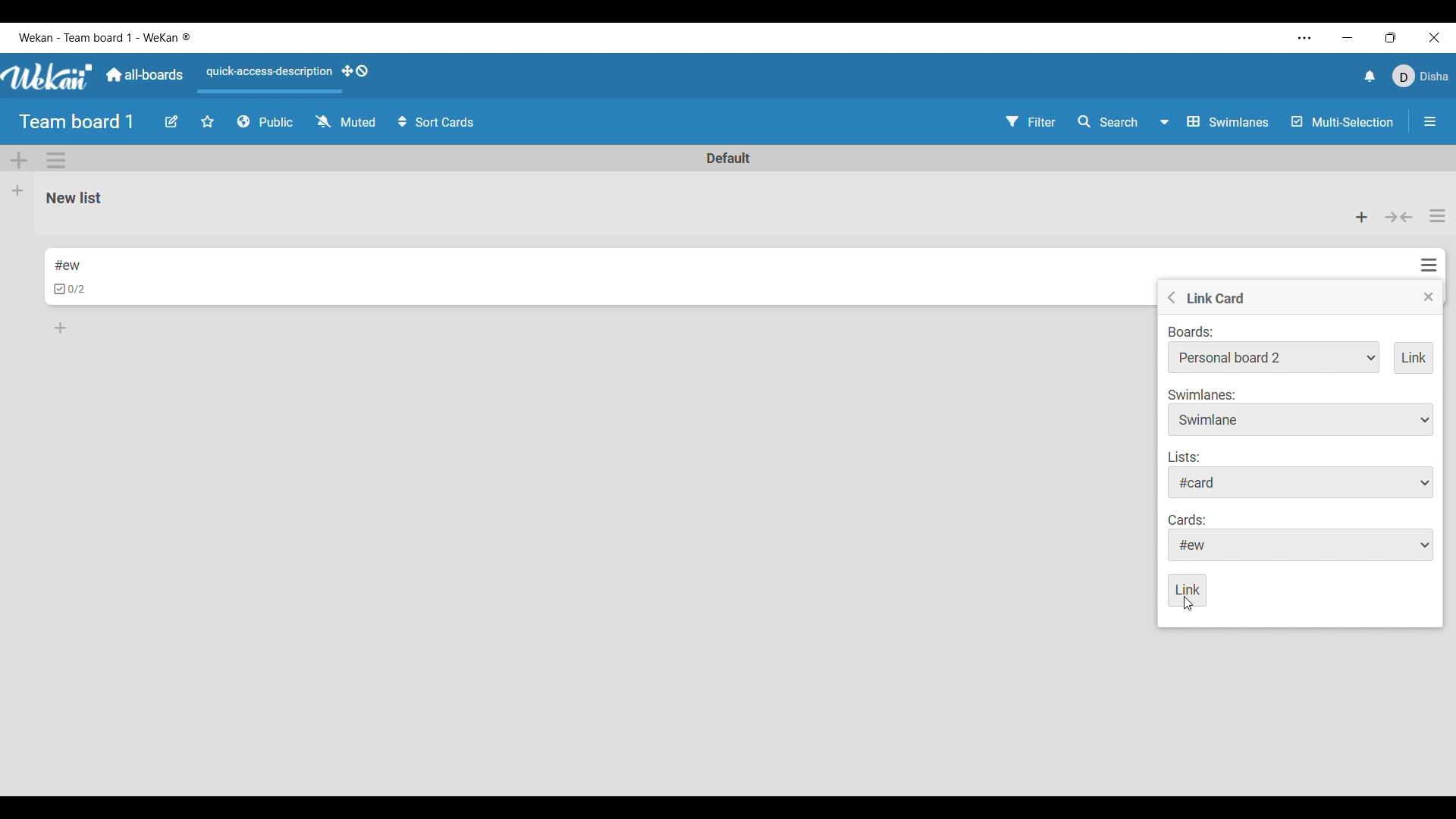 The image size is (1456, 819). I want to click on Collapse, so click(1398, 218).